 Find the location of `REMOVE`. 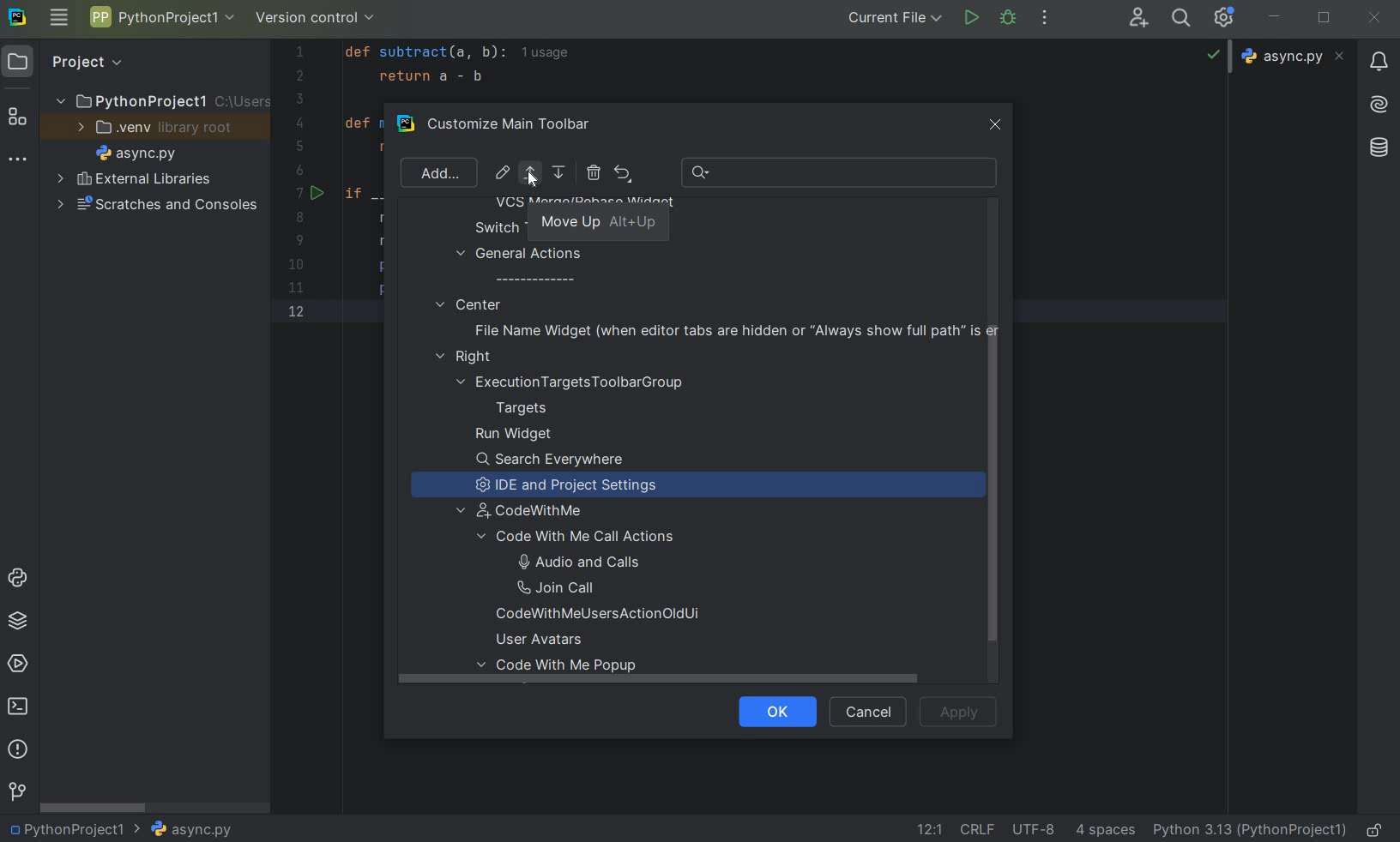

REMOVE is located at coordinates (593, 172).